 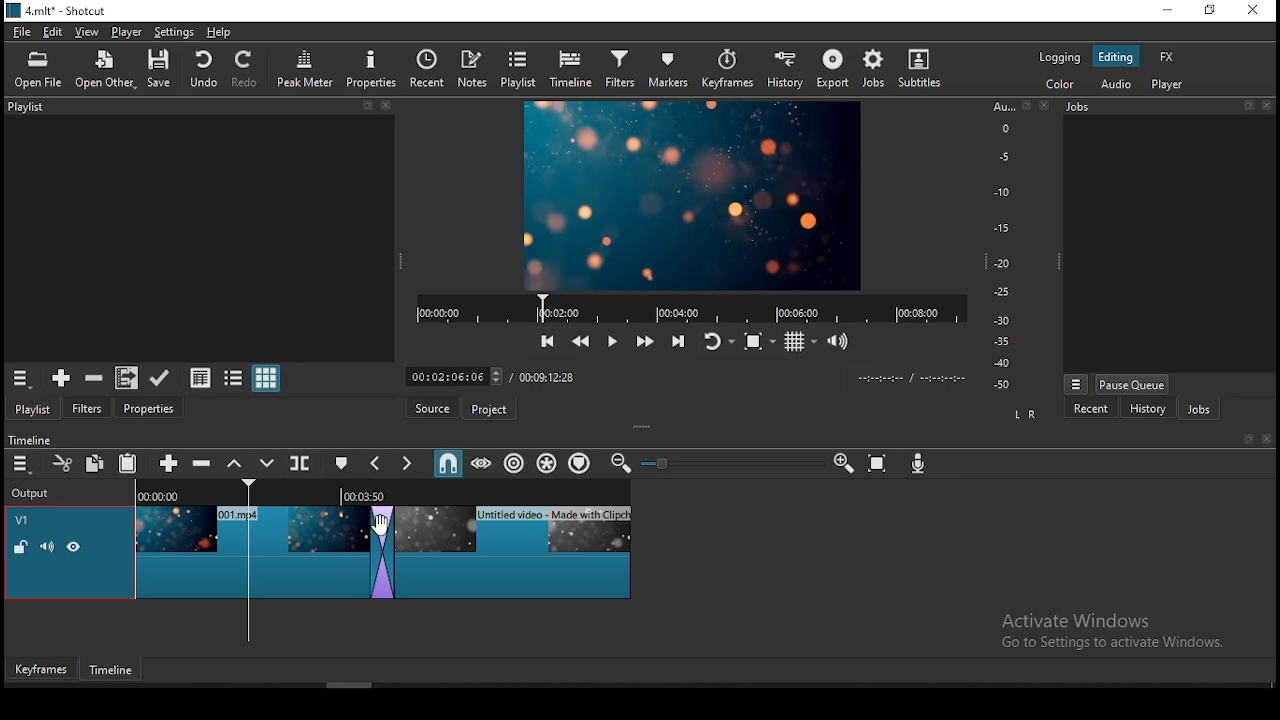 What do you see at coordinates (843, 461) in the screenshot?
I see `zoom timeline in` at bounding box center [843, 461].